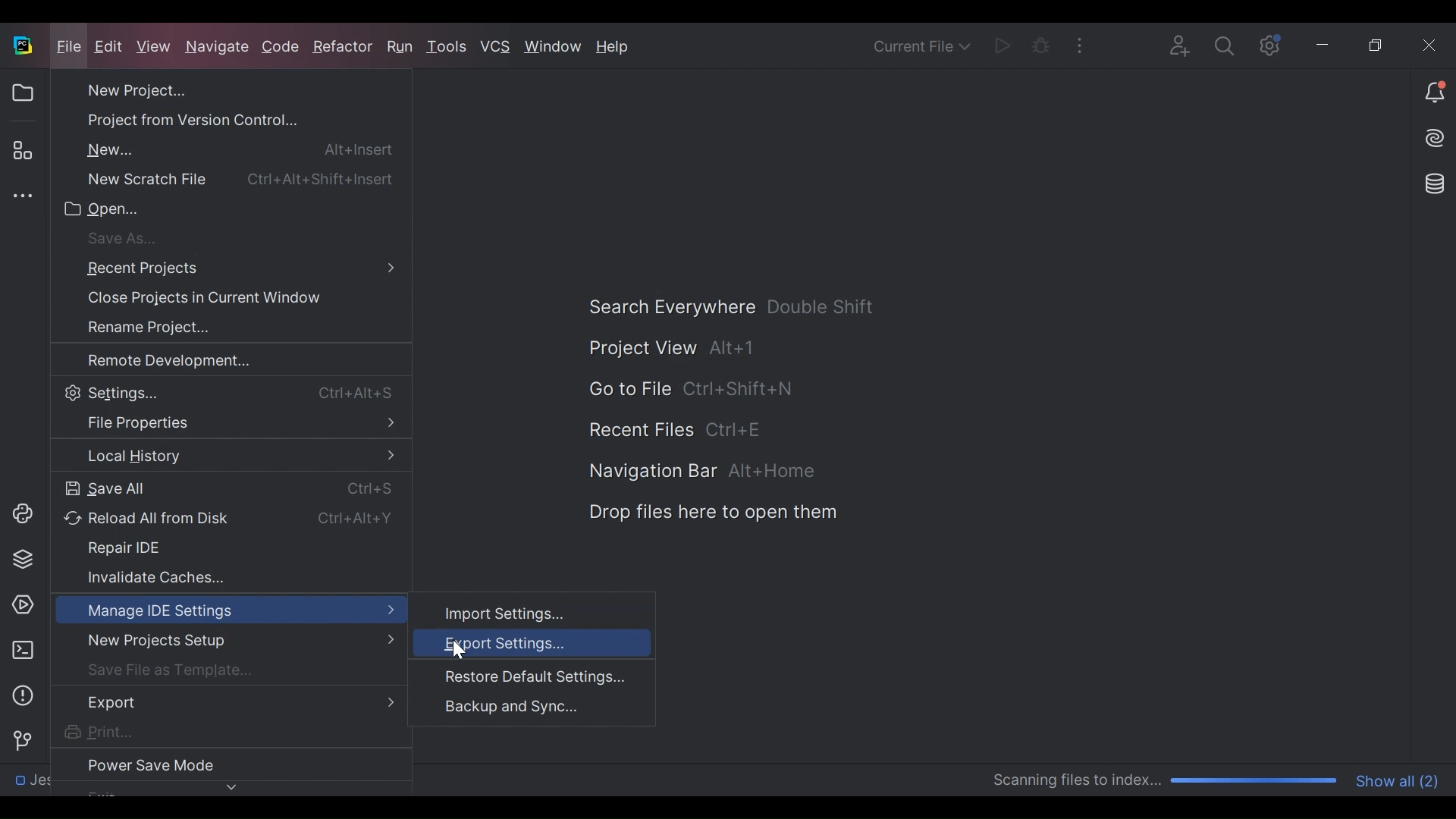 Image resolution: width=1456 pixels, height=819 pixels. Describe the element at coordinates (209, 733) in the screenshot. I see `Print` at that location.